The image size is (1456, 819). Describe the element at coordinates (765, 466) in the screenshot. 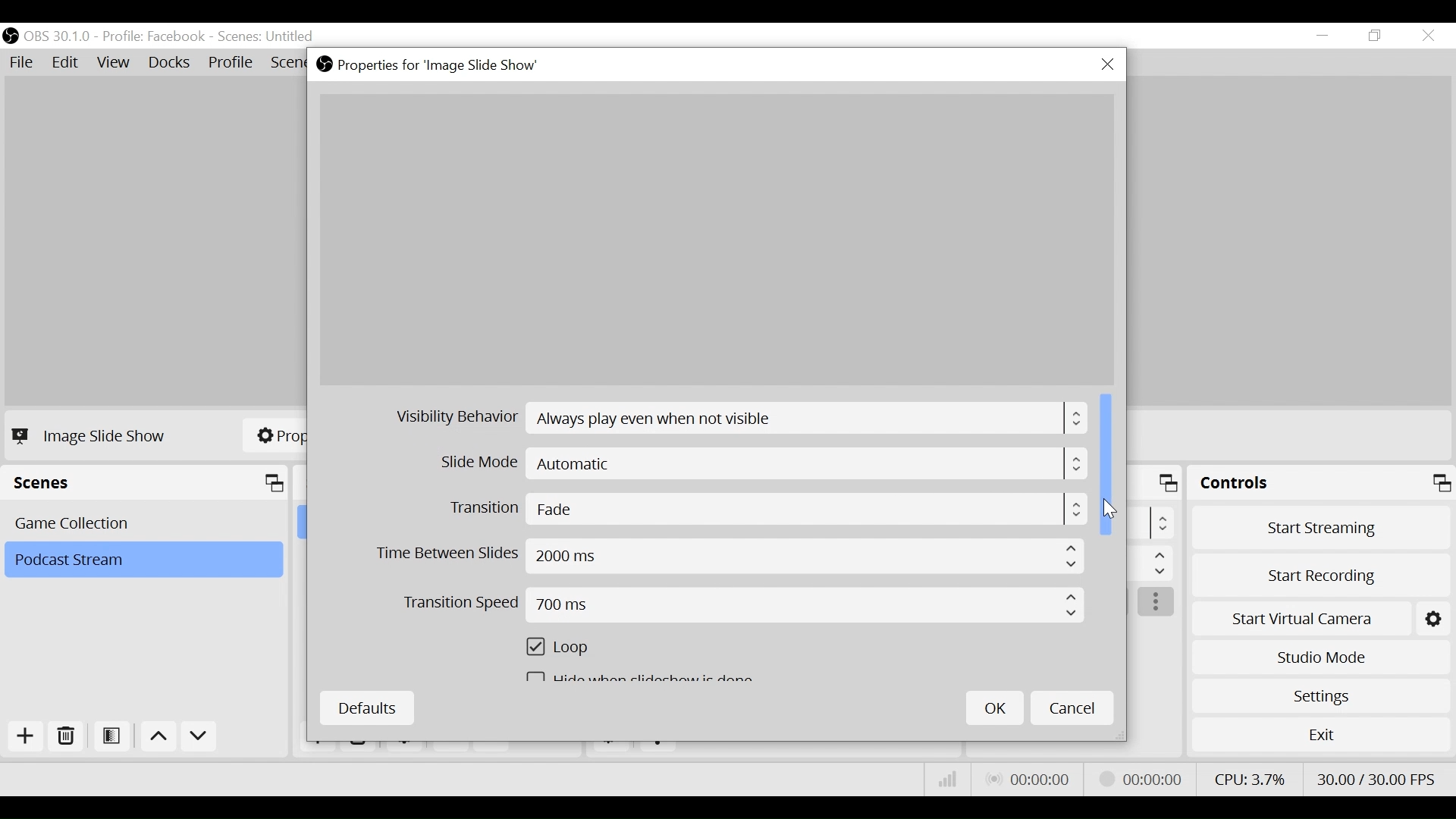

I see `Slide Mode` at that location.